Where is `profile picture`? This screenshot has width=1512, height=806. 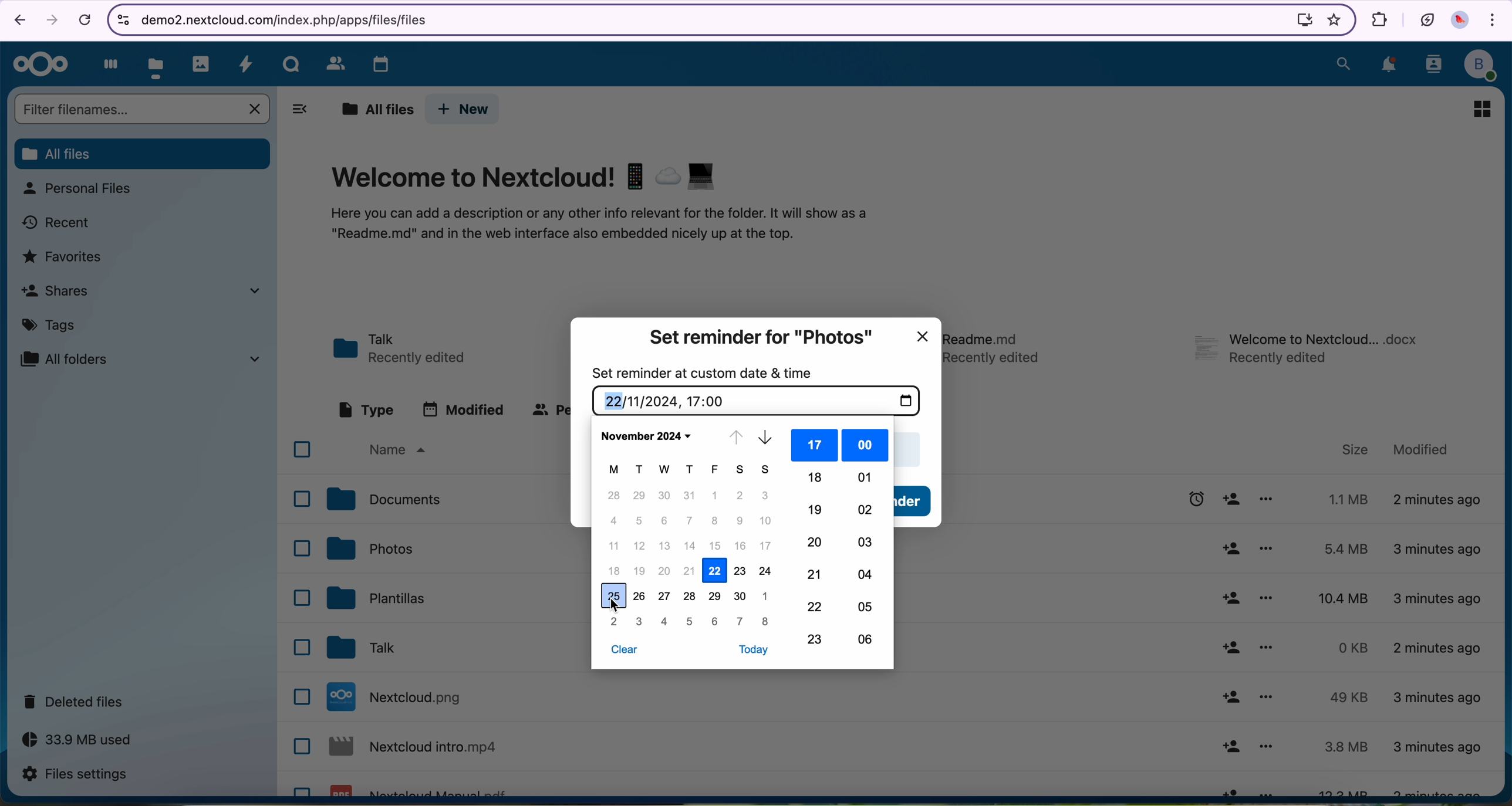
profile picture is located at coordinates (1462, 22).